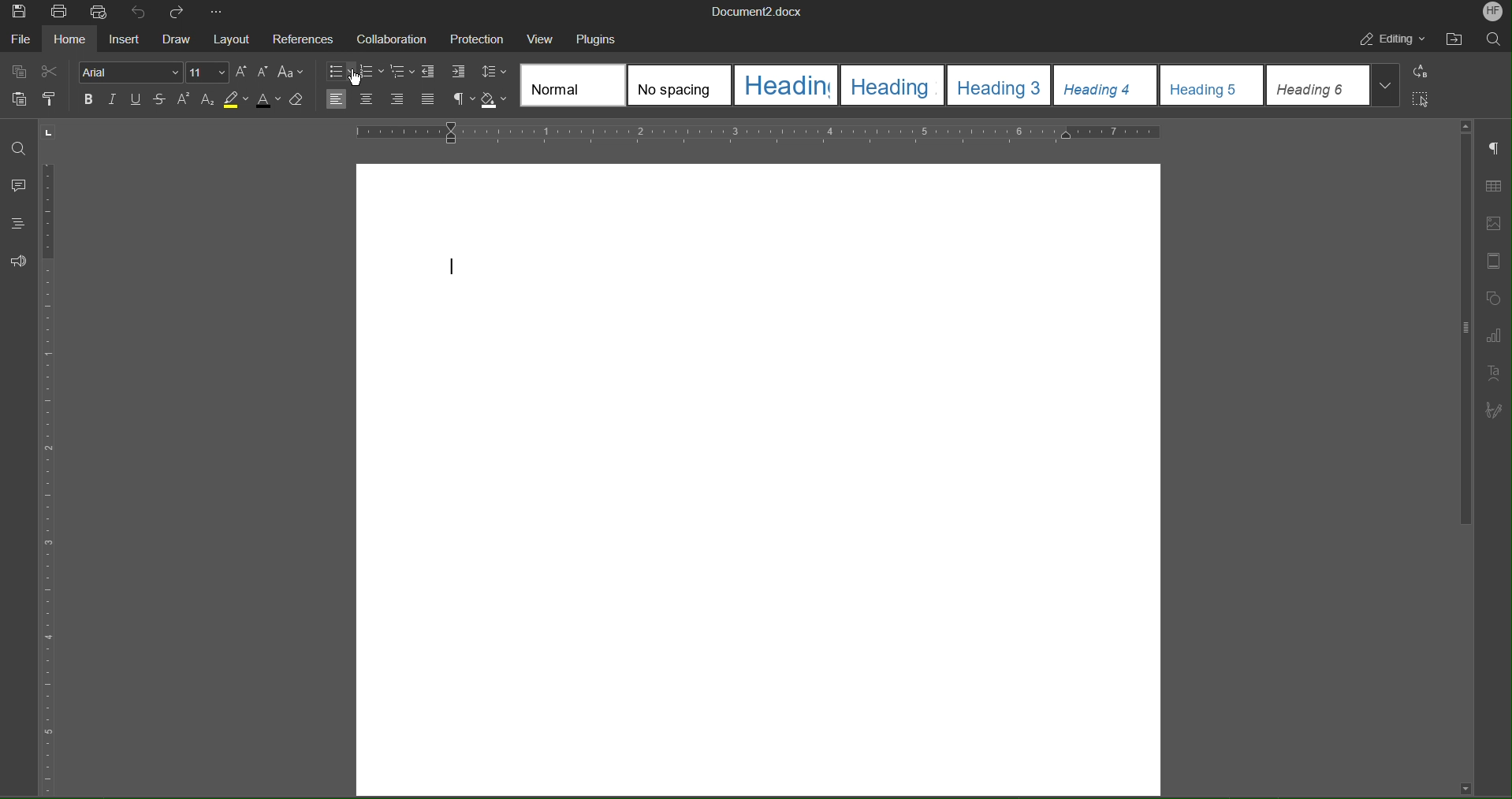  What do you see at coordinates (1421, 101) in the screenshot?
I see `Select All` at bounding box center [1421, 101].